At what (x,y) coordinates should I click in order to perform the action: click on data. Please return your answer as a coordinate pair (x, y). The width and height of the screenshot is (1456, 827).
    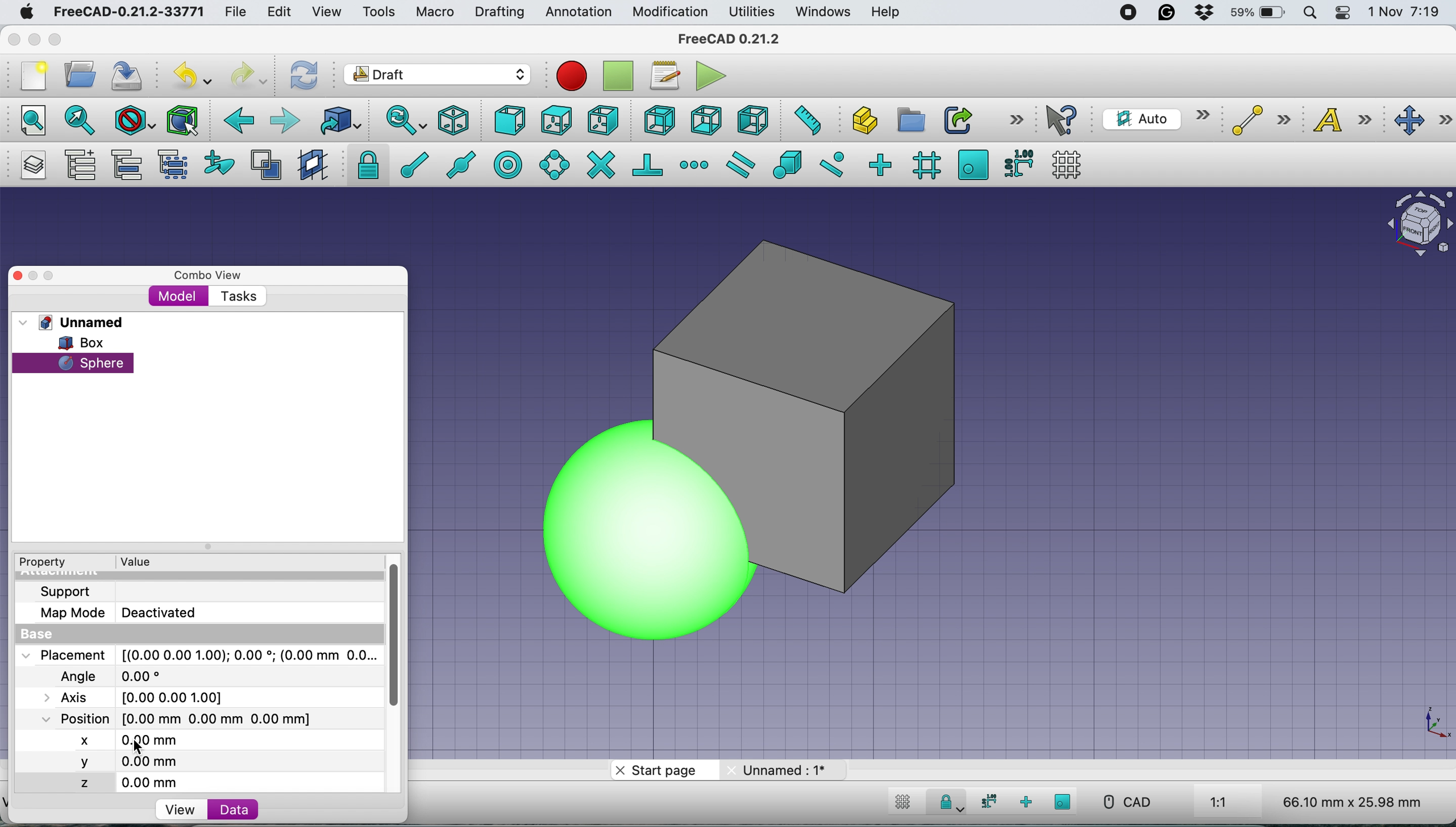
    Looking at the image, I should click on (233, 809).